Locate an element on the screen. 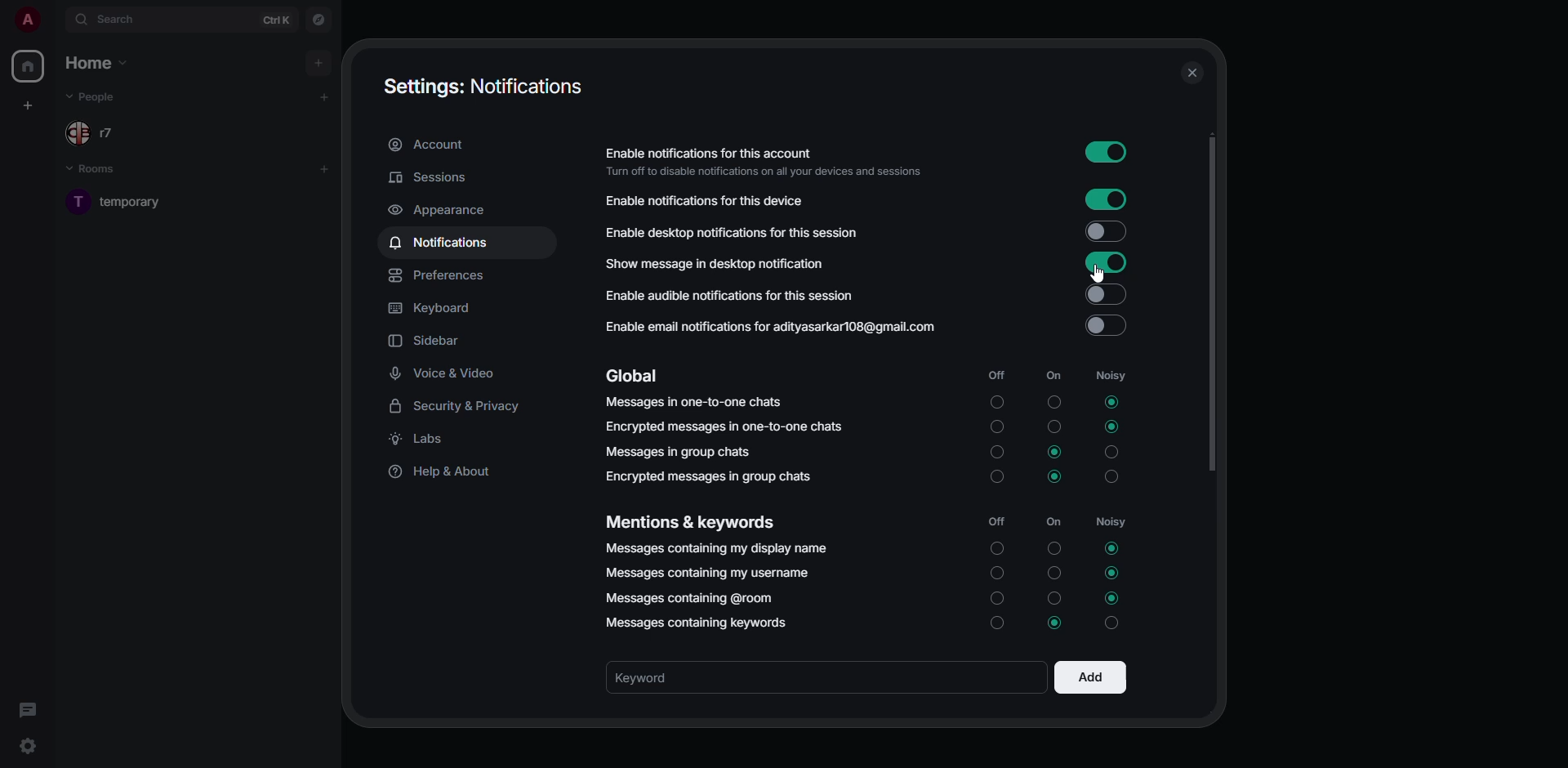  noisy is located at coordinates (1113, 625).